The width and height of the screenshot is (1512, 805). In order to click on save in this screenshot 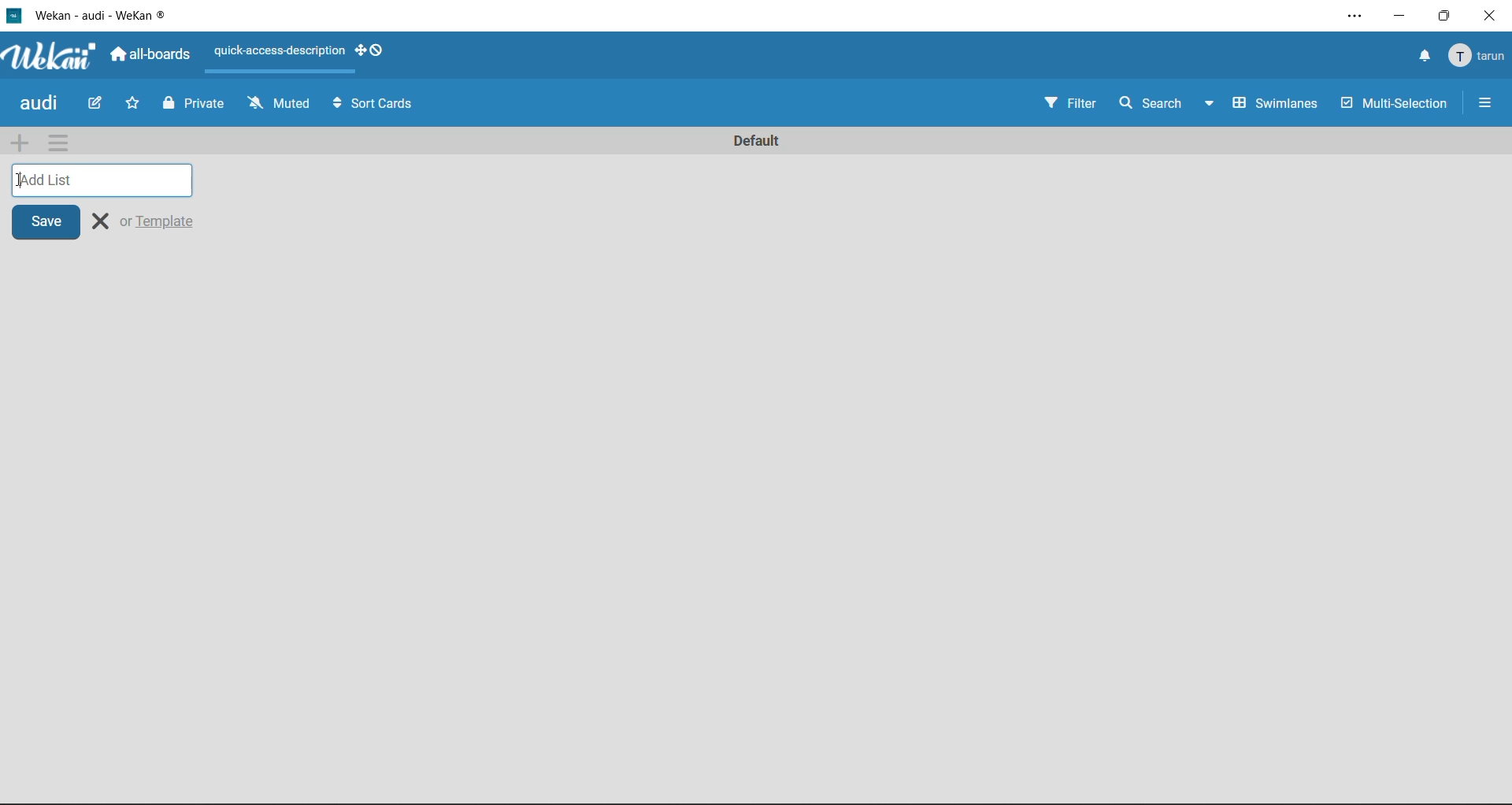, I will do `click(45, 223)`.